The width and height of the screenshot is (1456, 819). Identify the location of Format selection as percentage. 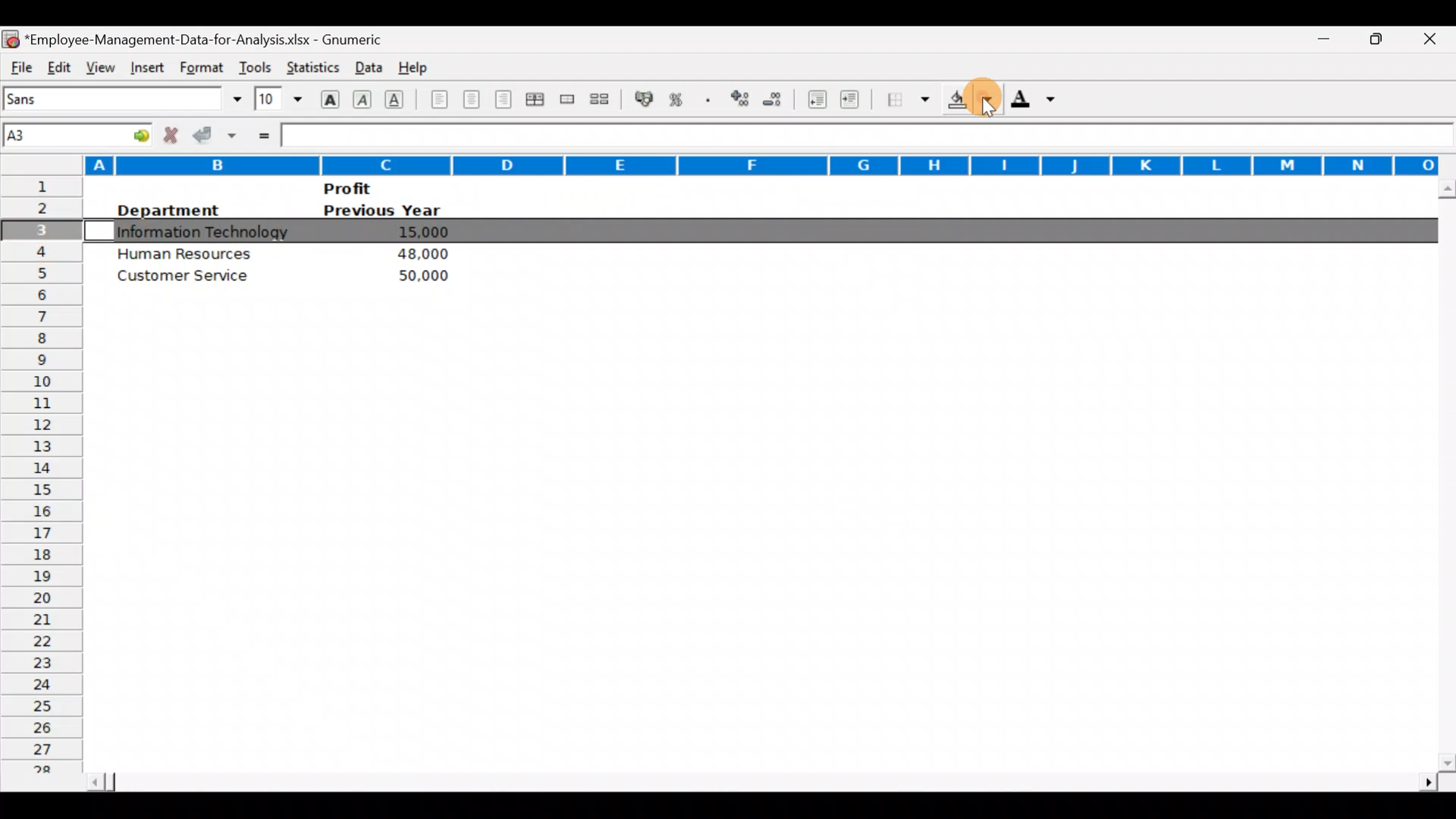
(681, 99).